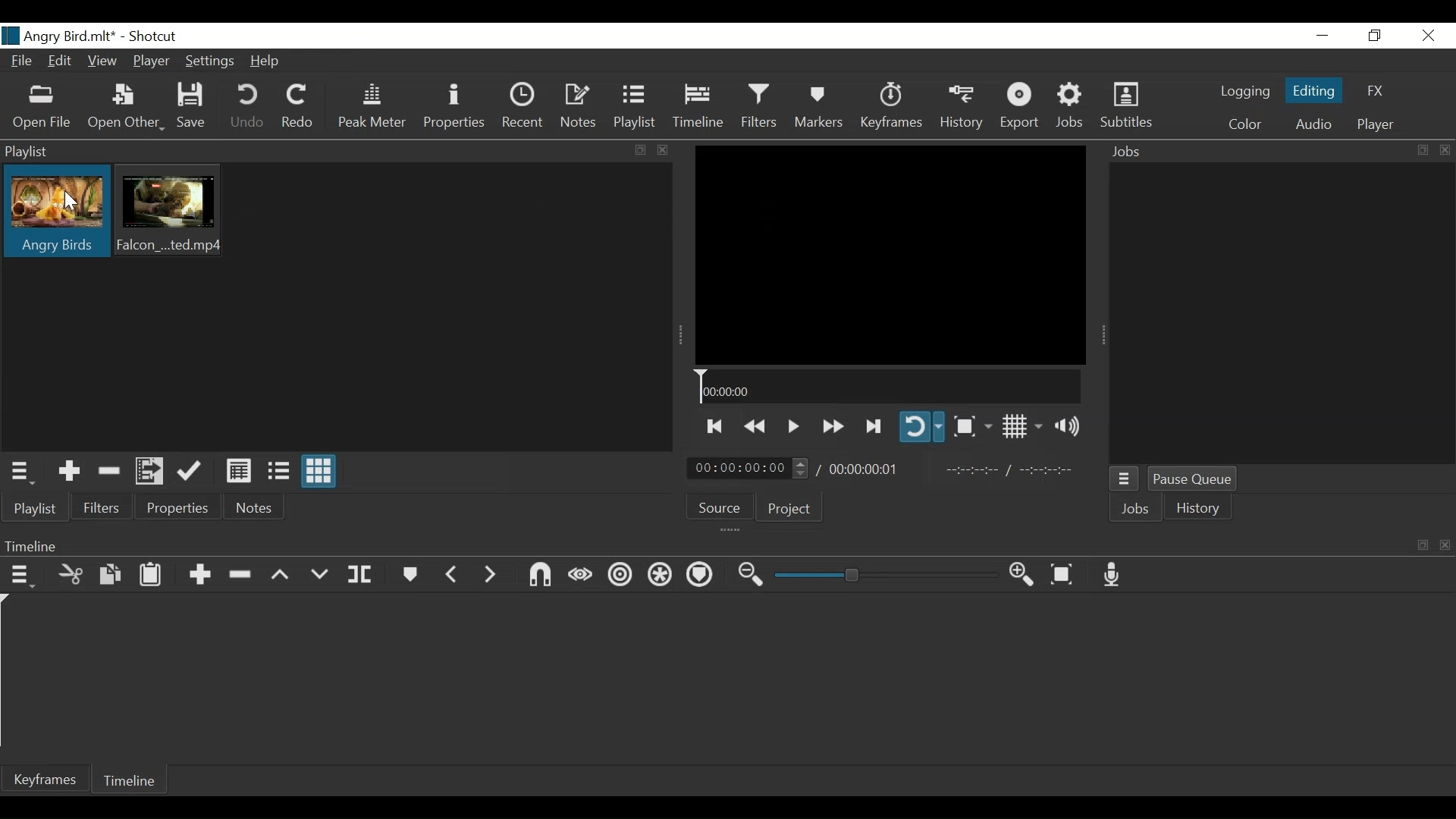  Describe the element at coordinates (794, 424) in the screenshot. I see `Toggle play or pause` at that location.